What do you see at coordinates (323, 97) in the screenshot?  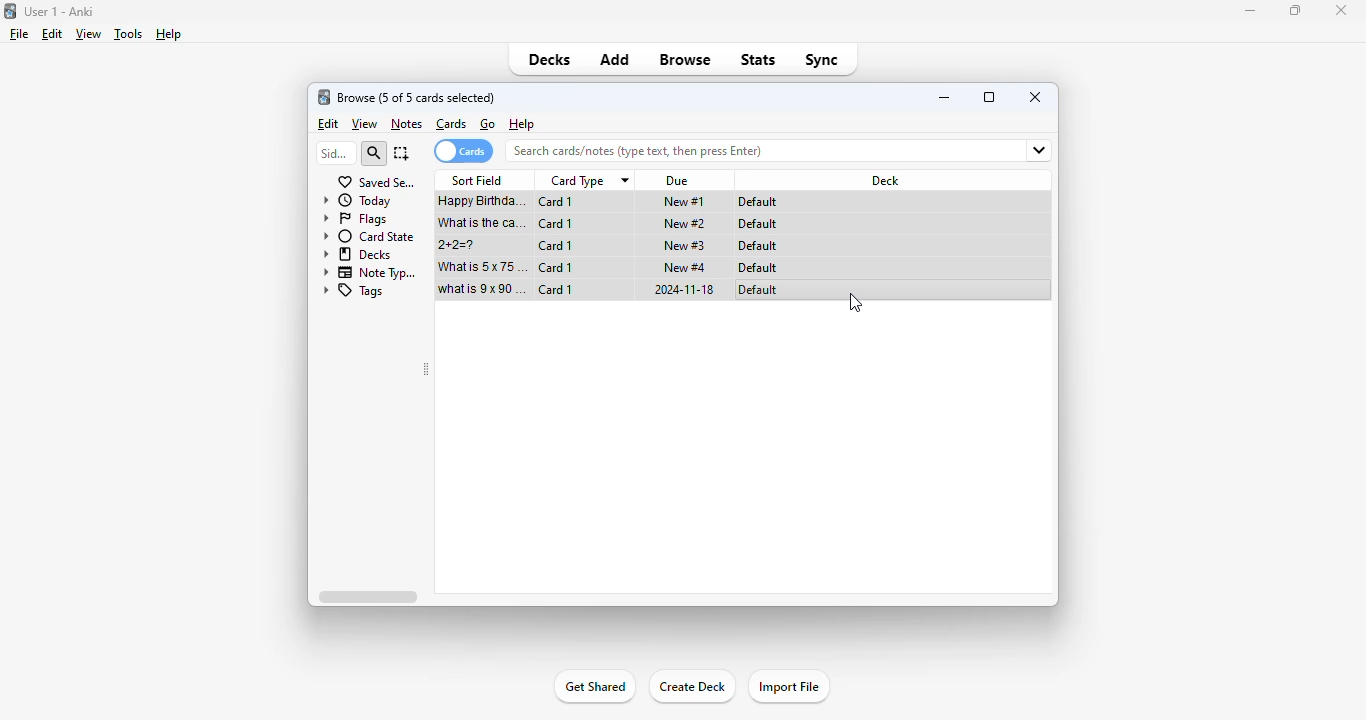 I see `logo` at bounding box center [323, 97].